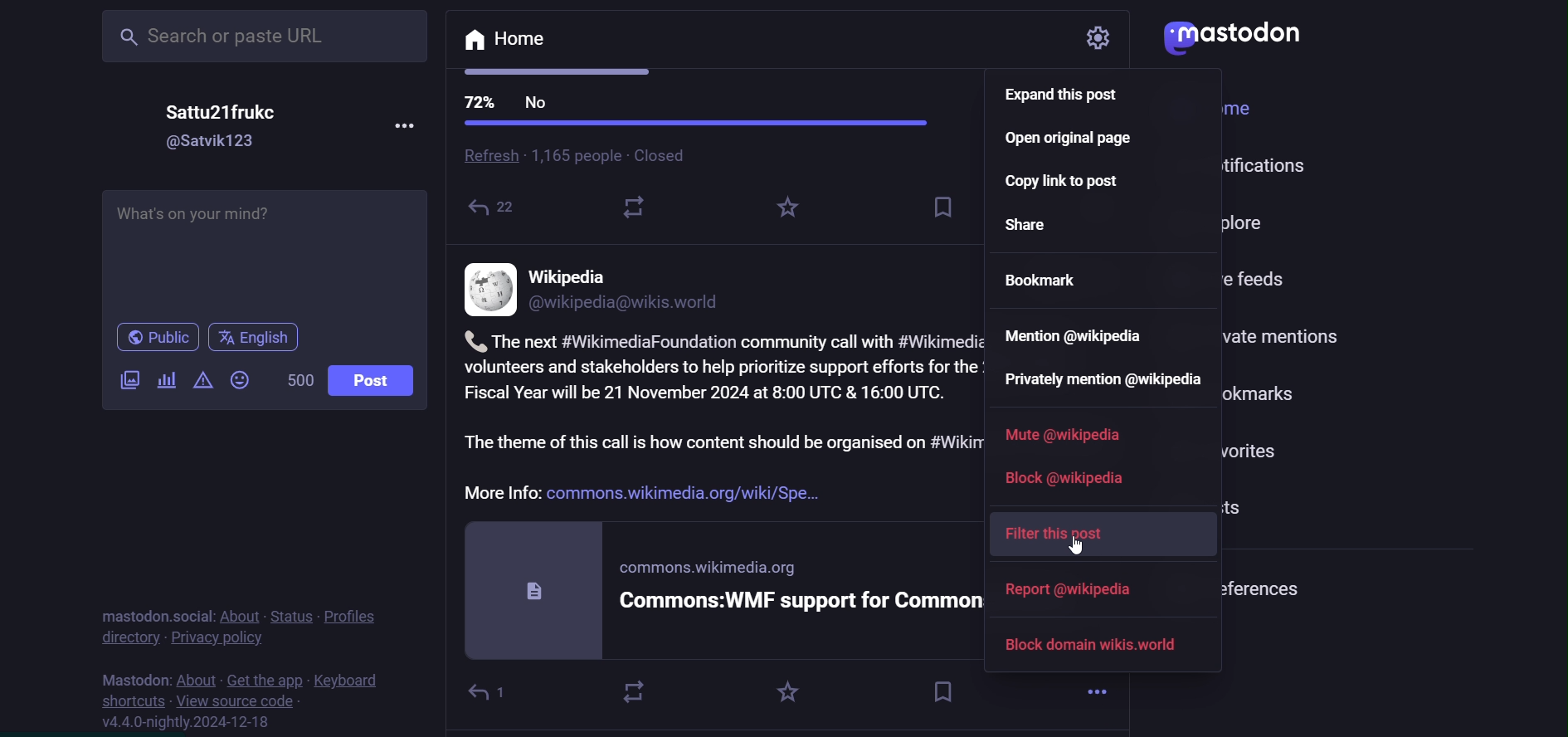 Image resolution: width=1568 pixels, height=737 pixels. Describe the element at coordinates (1083, 548) in the screenshot. I see `cursor` at that location.